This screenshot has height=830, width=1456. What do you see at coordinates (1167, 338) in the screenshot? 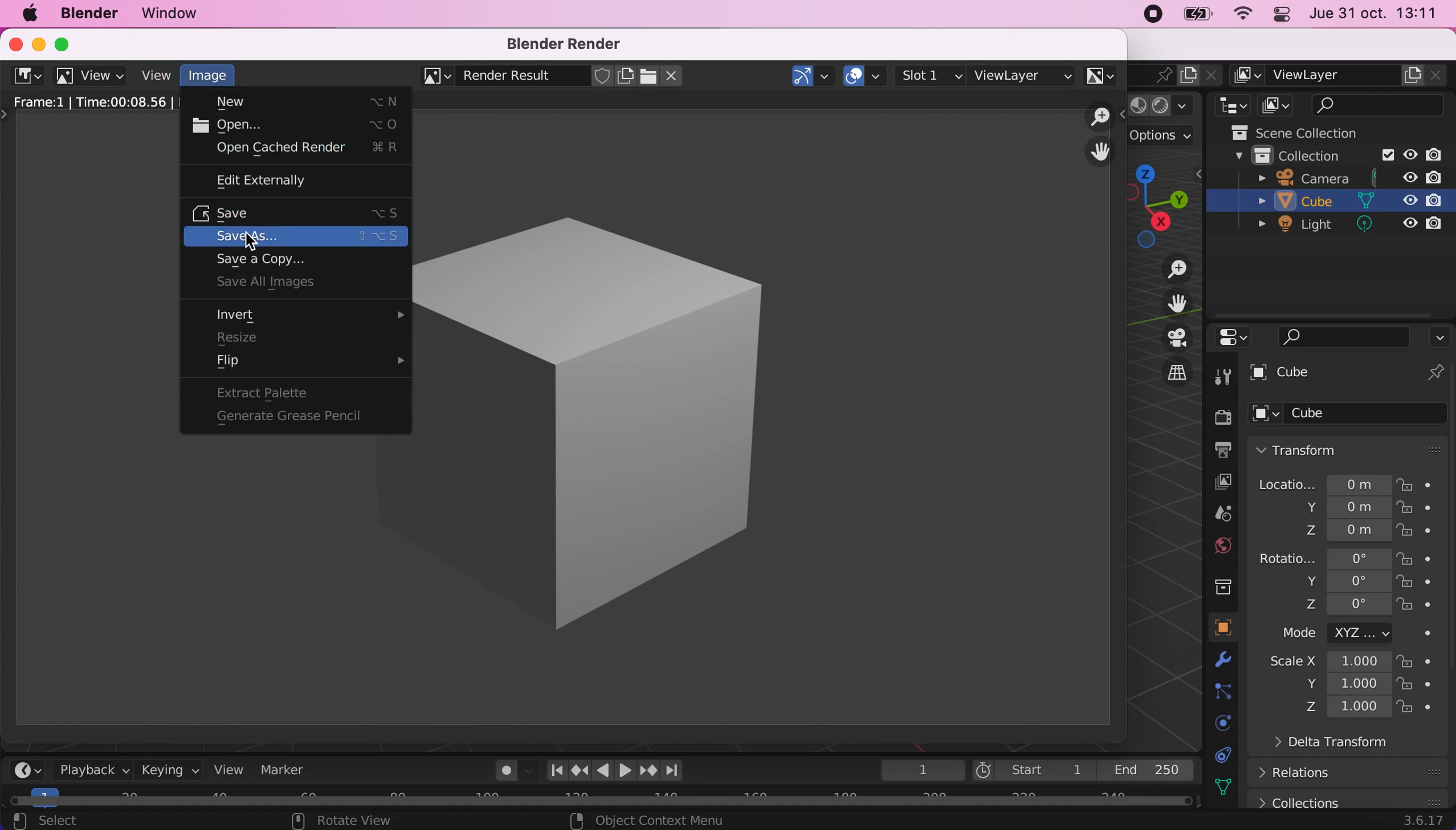
I see `toggle the camera view` at bounding box center [1167, 338].